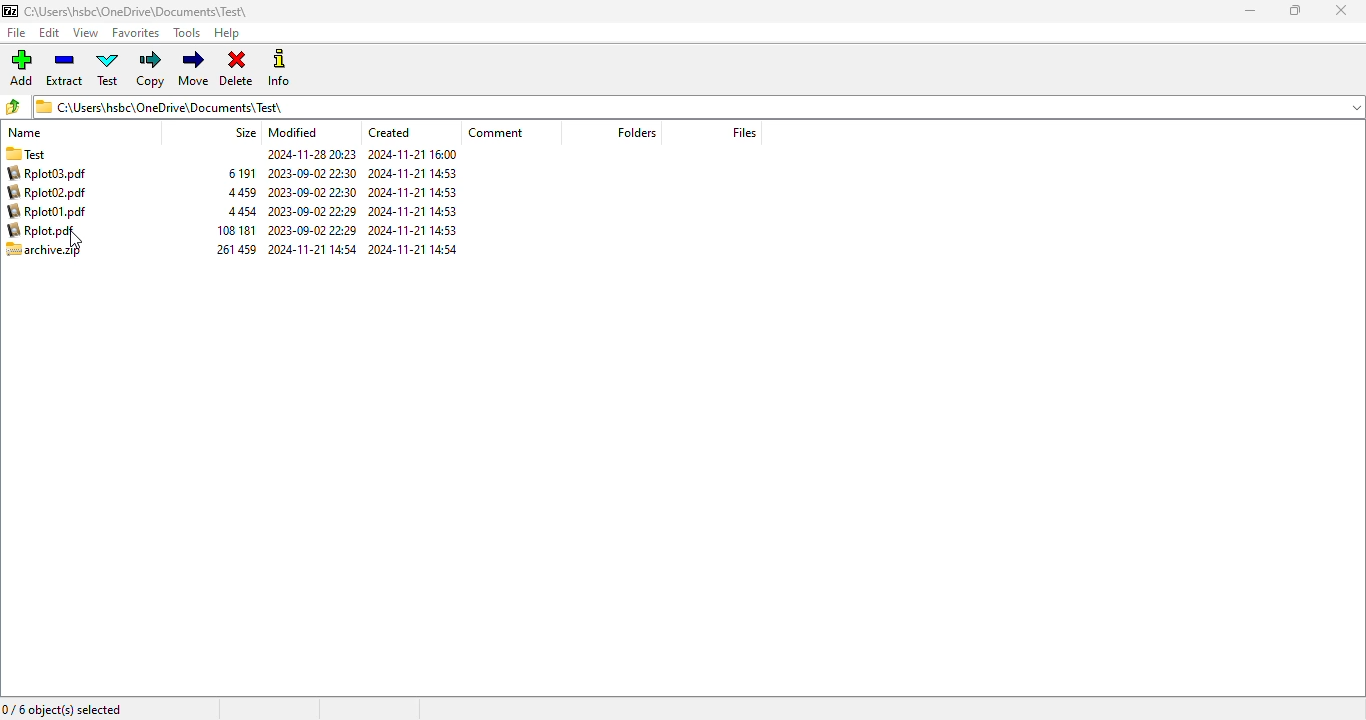 Image resolution: width=1366 pixels, height=720 pixels. Describe the element at coordinates (40, 152) in the screenshot. I see `folder` at that location.